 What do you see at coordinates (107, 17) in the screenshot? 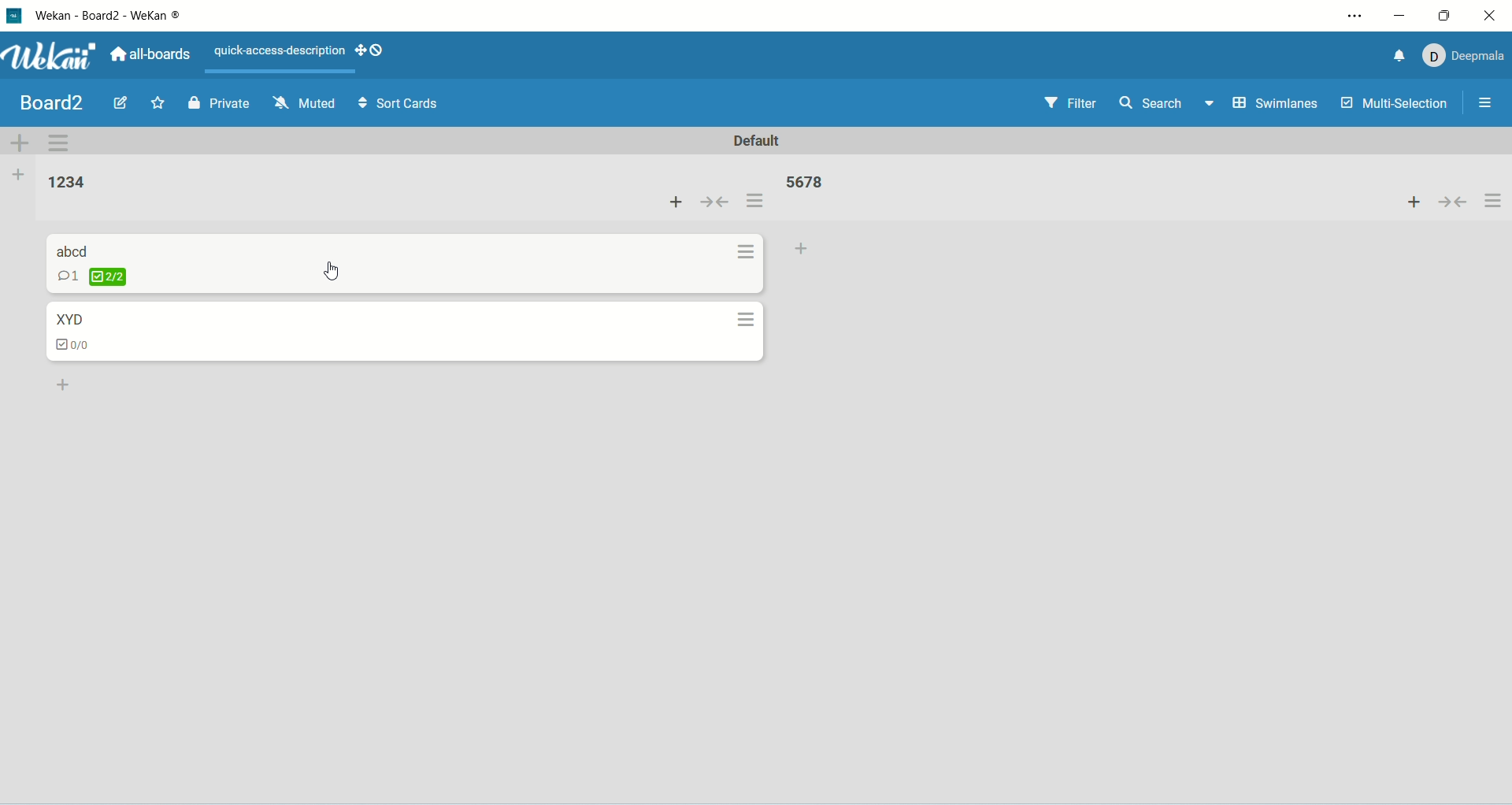
I see `wekan-wekan` at bounding box center [107, 17].